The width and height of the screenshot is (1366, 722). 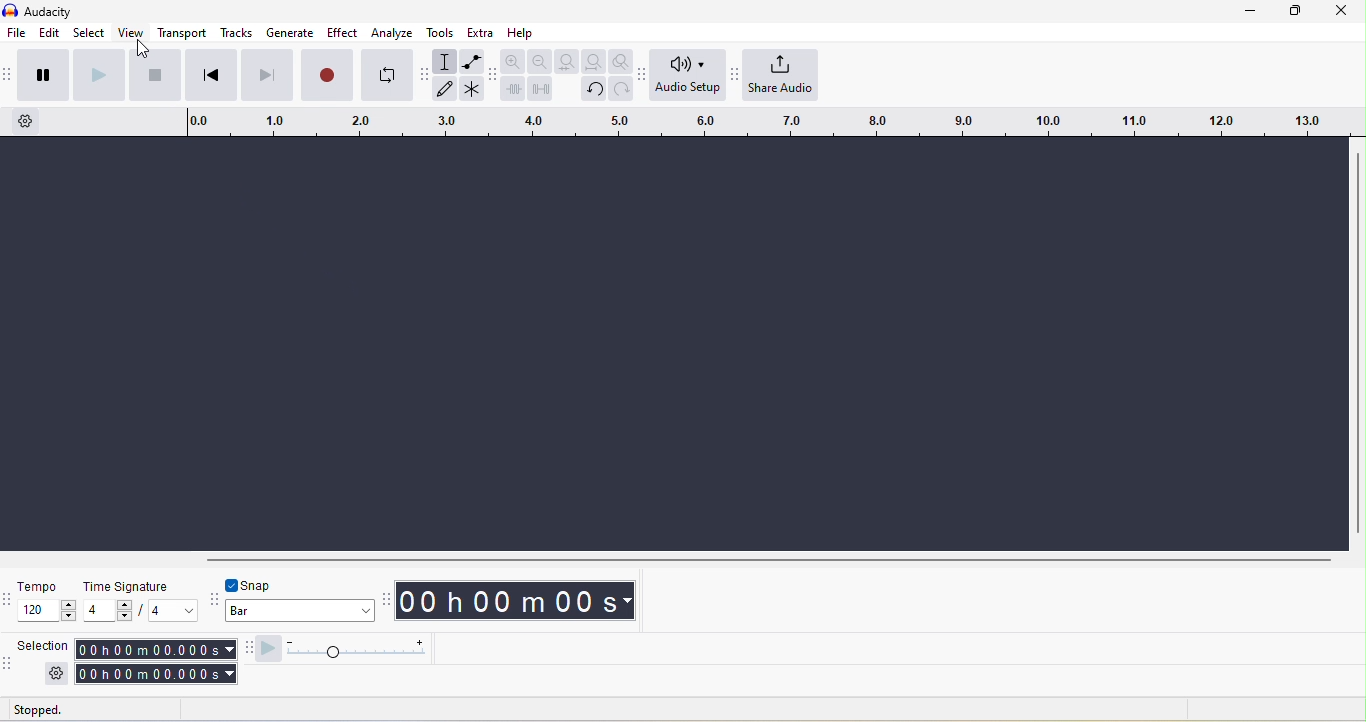 What do you see at coordinates (769, 561) in the screenshot?
I see `horizontal scrollbar` at bounding box center [769, 561].